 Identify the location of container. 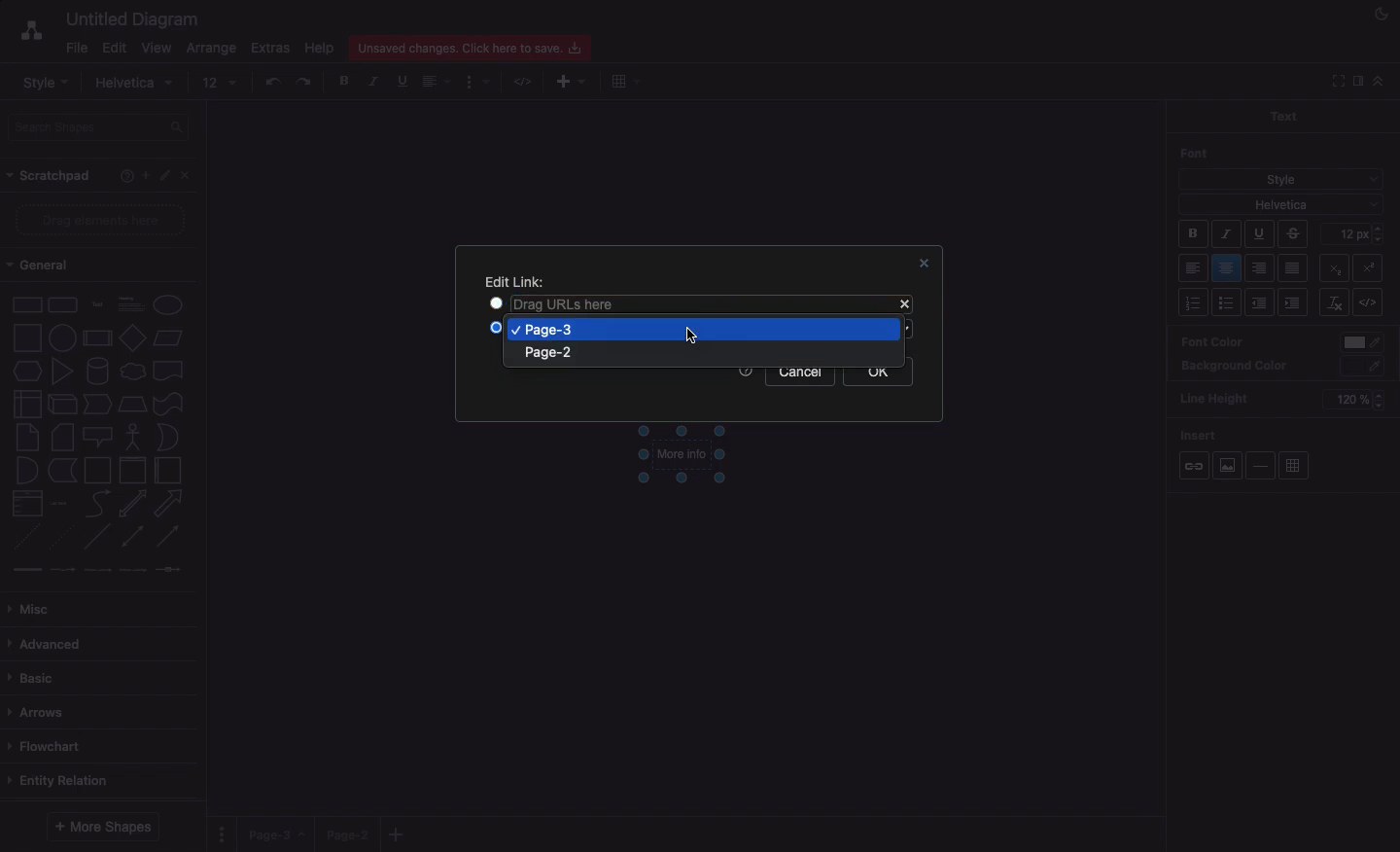
(97, 471).